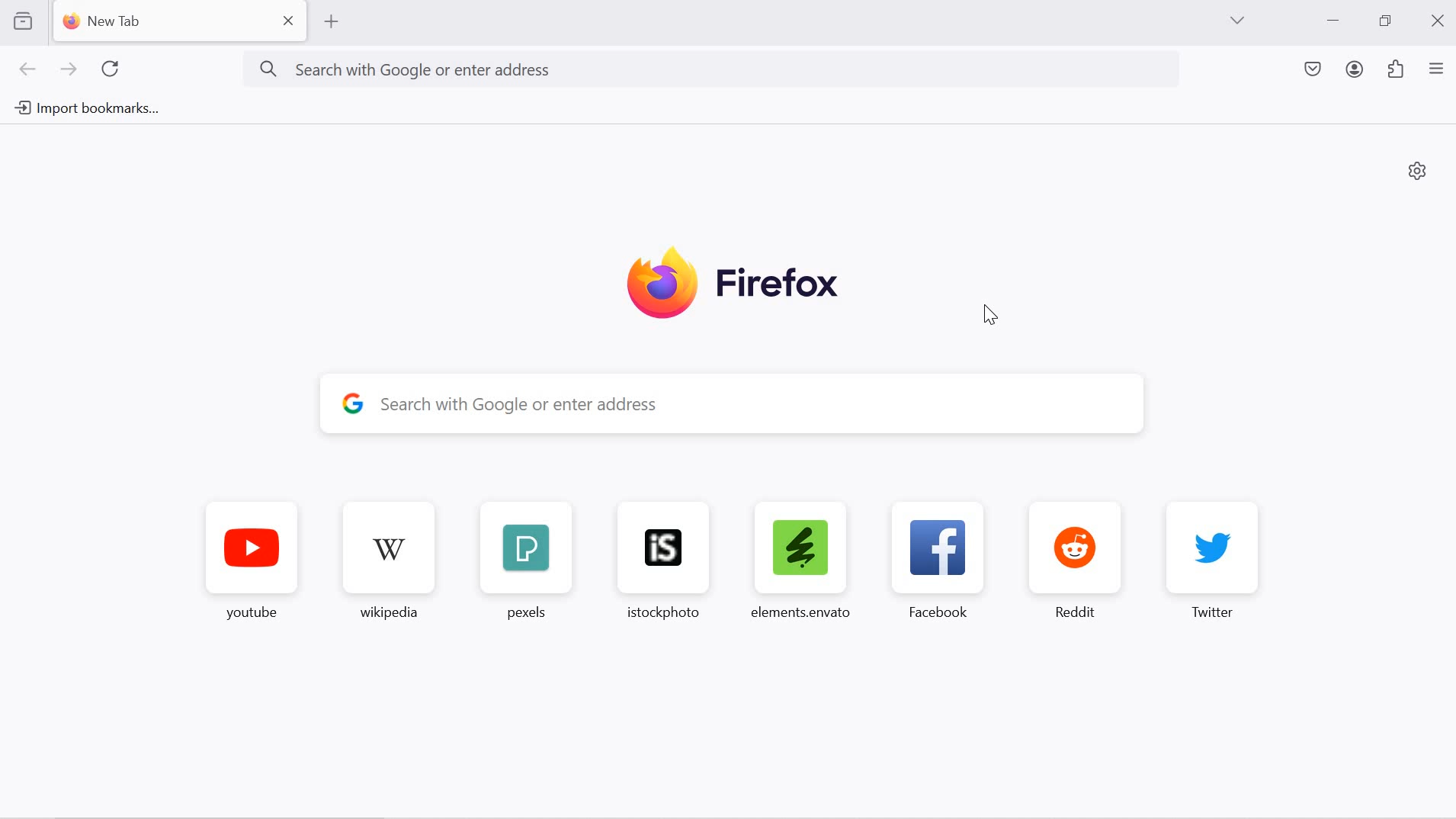  I want to click on Facebook, so click(936, 571).